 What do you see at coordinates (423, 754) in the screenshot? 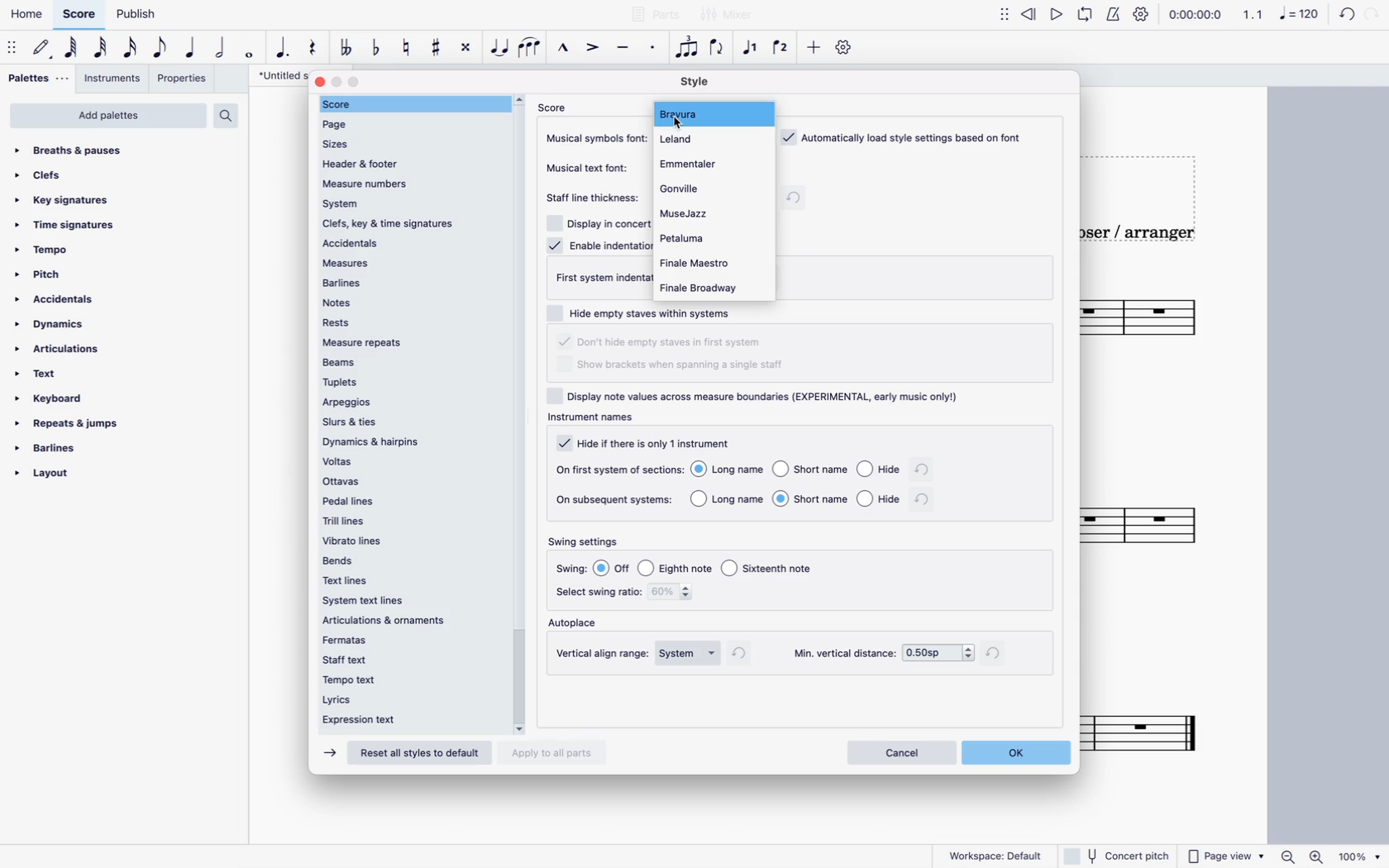
I see `Reset all styles to default` at bounding box center [423, 754].